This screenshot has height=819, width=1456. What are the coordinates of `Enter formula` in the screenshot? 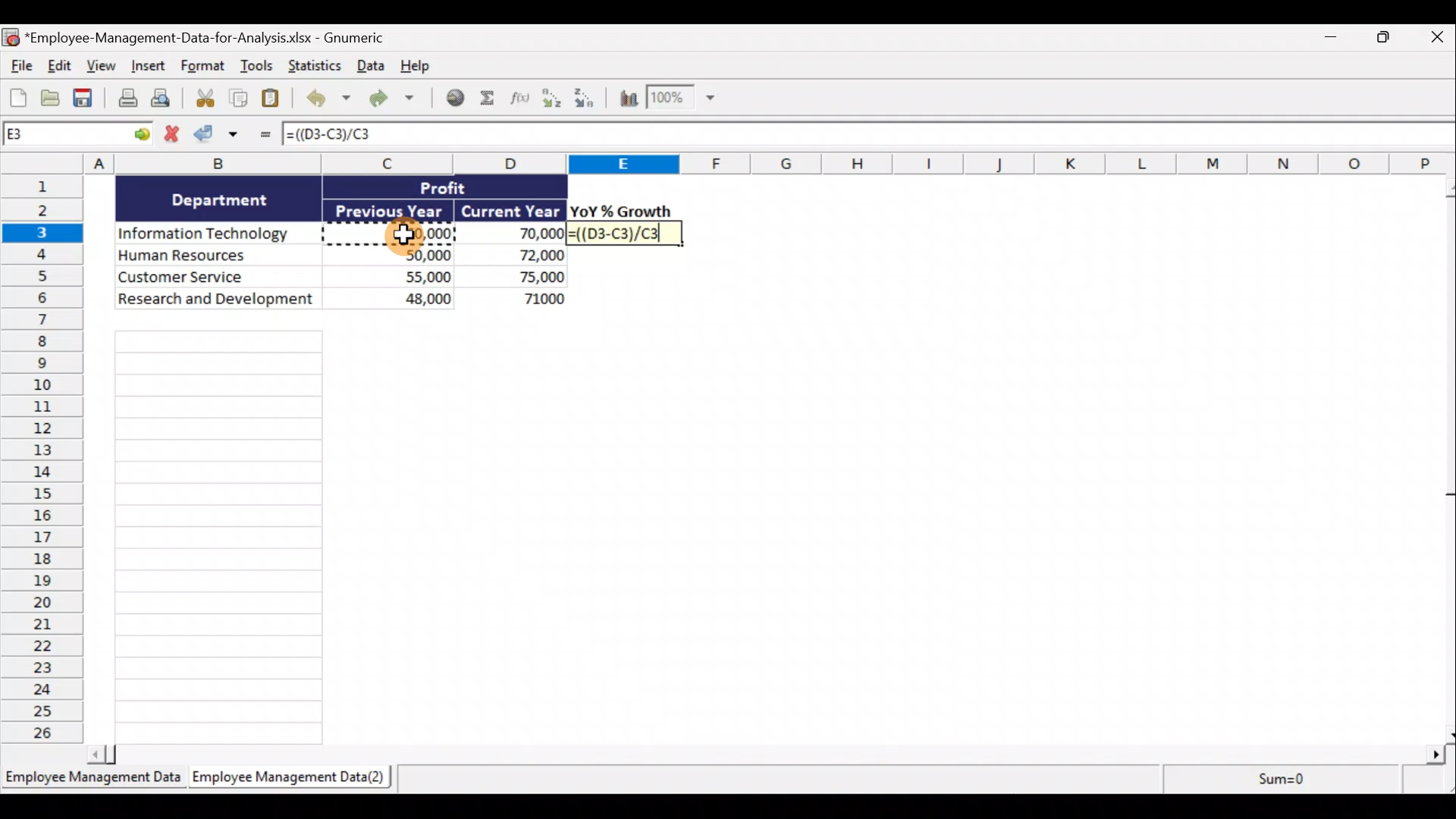 It's located at (263, 137).